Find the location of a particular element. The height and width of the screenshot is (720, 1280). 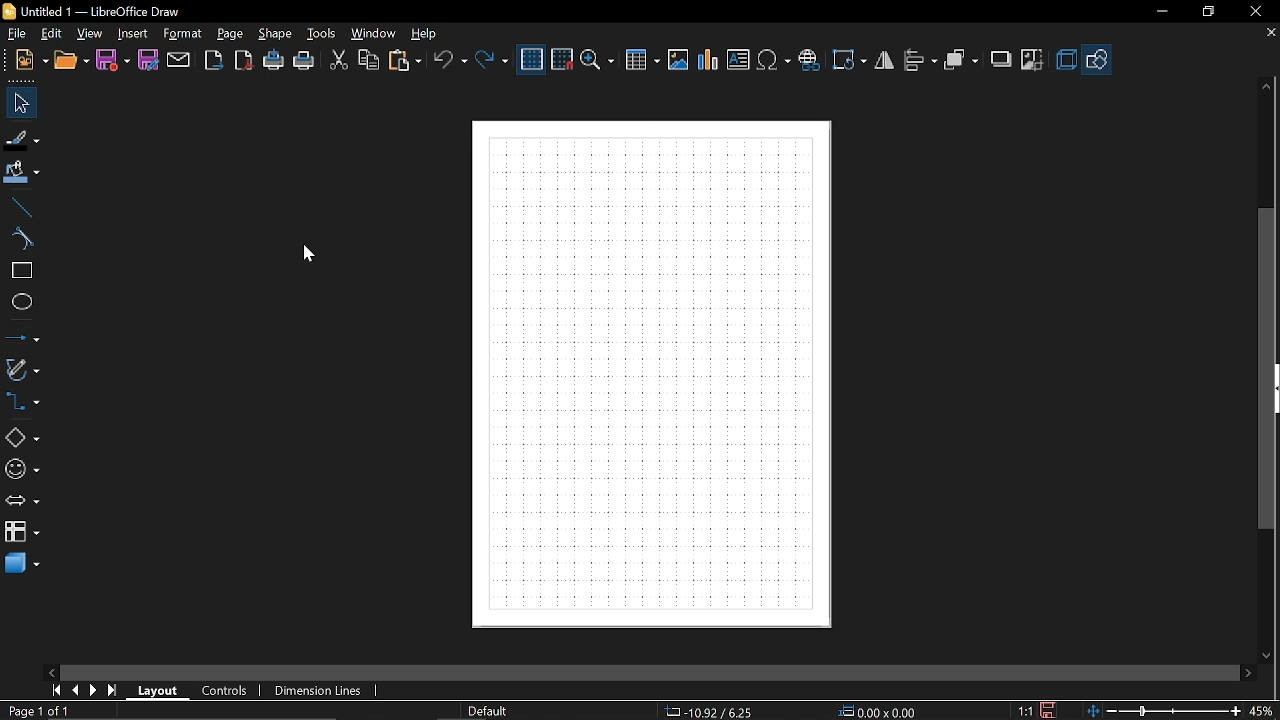

go to first page is located at coordinates (56, 691).